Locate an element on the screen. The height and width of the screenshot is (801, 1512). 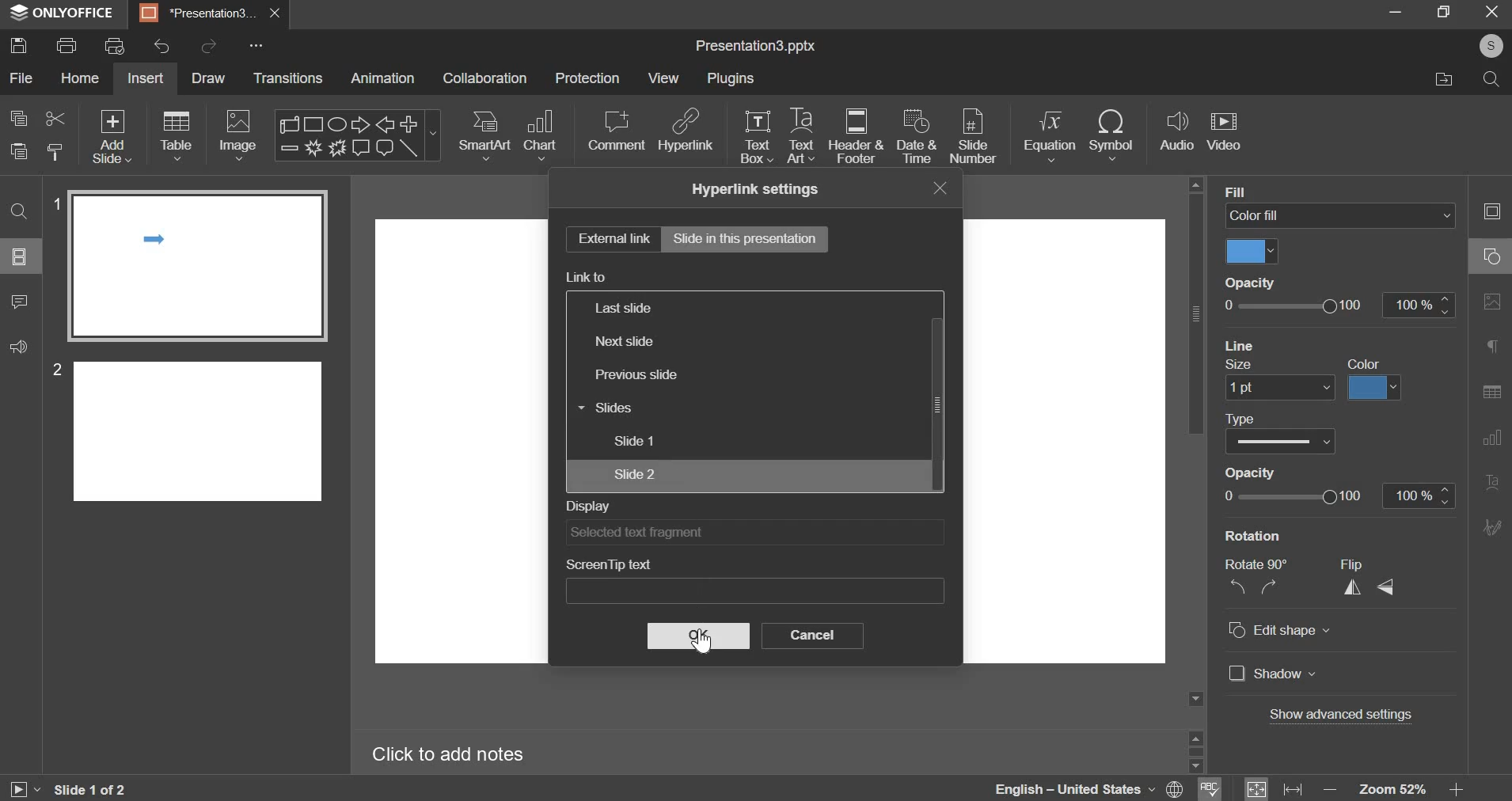
click here to add notes is located at coordinates (448, 755).